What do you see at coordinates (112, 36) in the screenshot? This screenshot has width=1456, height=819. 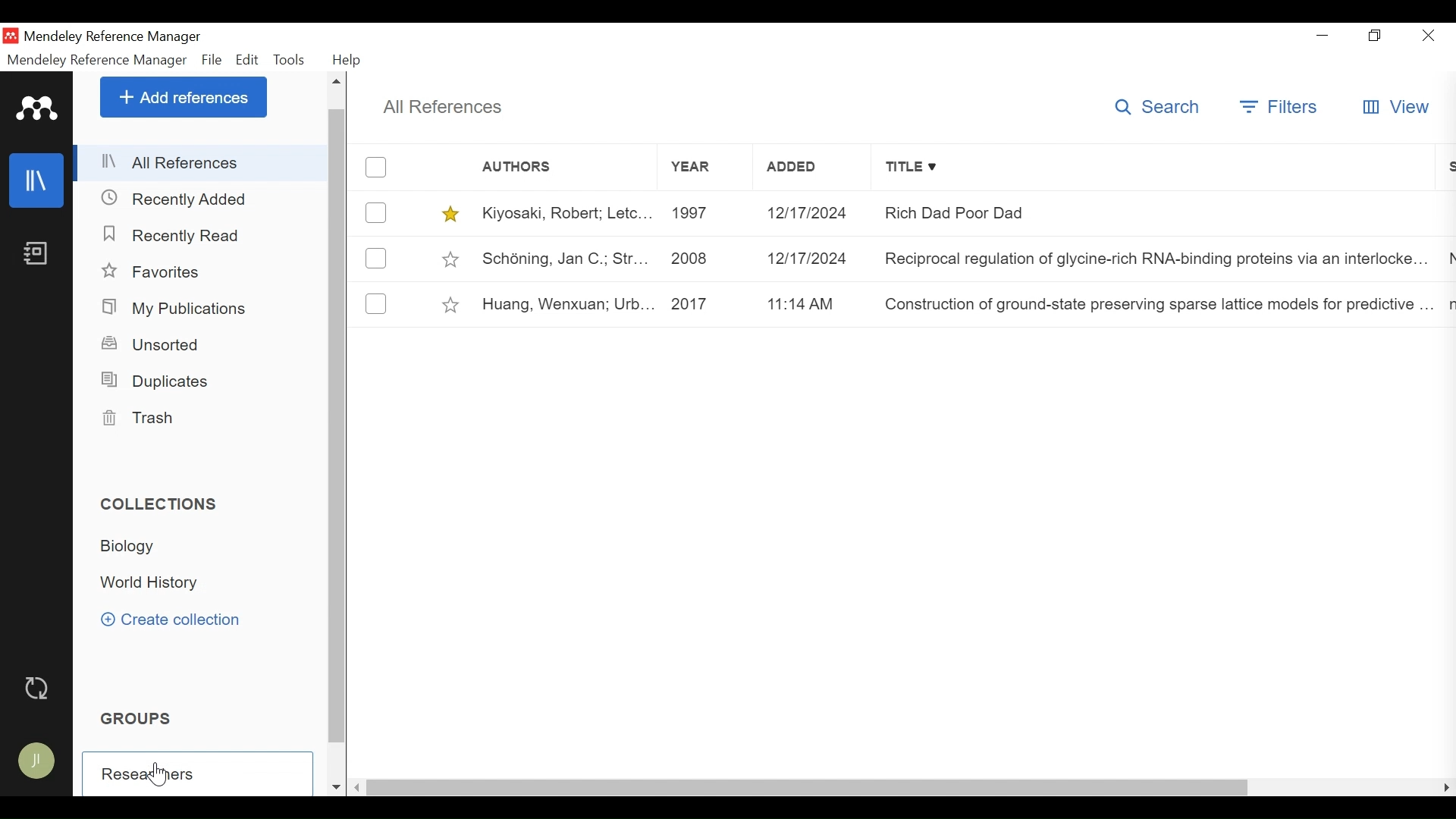 I see `Mendeley Reference Manager` at bounding box center [112, 36].